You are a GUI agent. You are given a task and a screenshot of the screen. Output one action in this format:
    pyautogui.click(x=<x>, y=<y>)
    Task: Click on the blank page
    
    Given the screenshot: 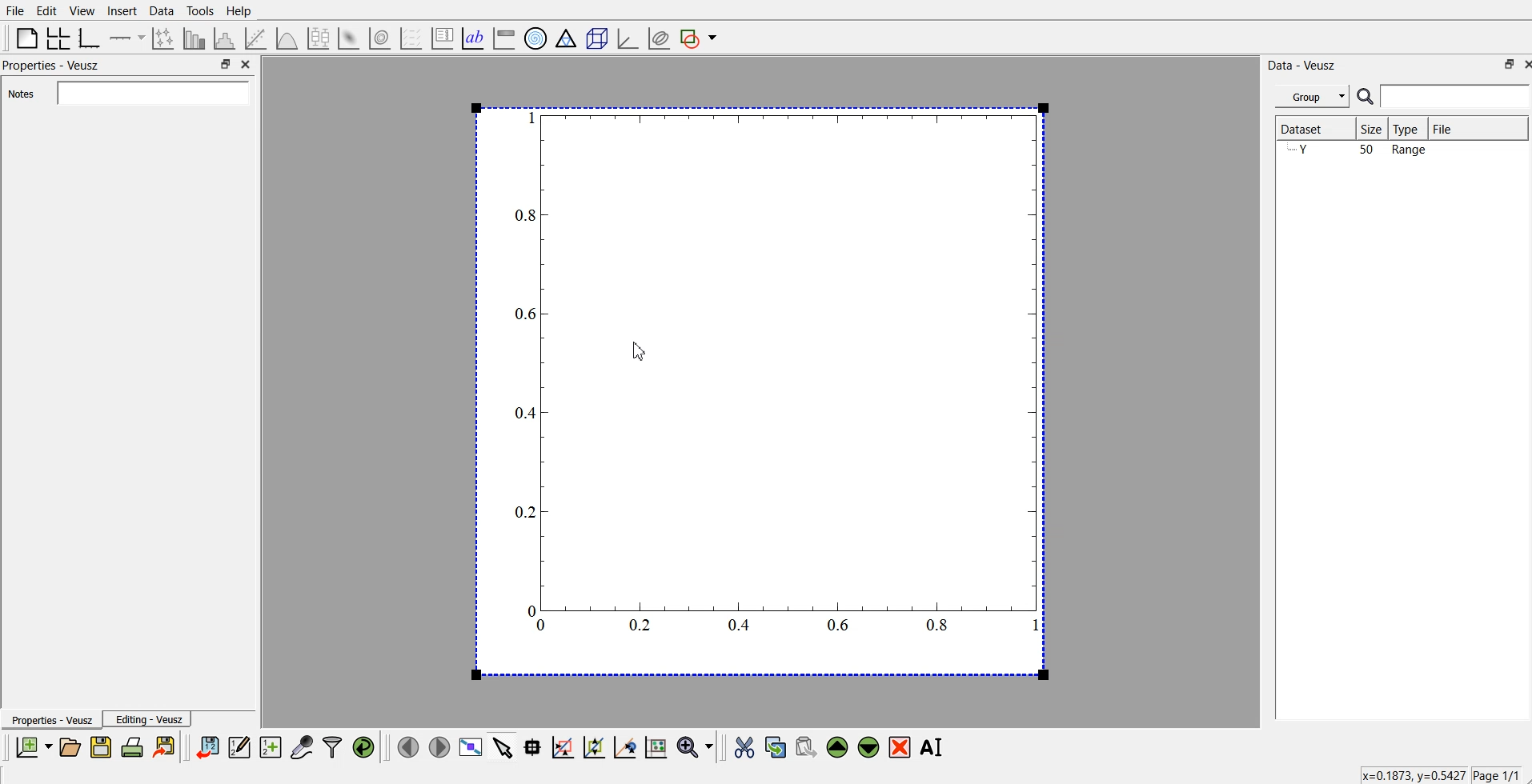 What is the action you would take?
    pyautogui.click(x=24, y=38)
    